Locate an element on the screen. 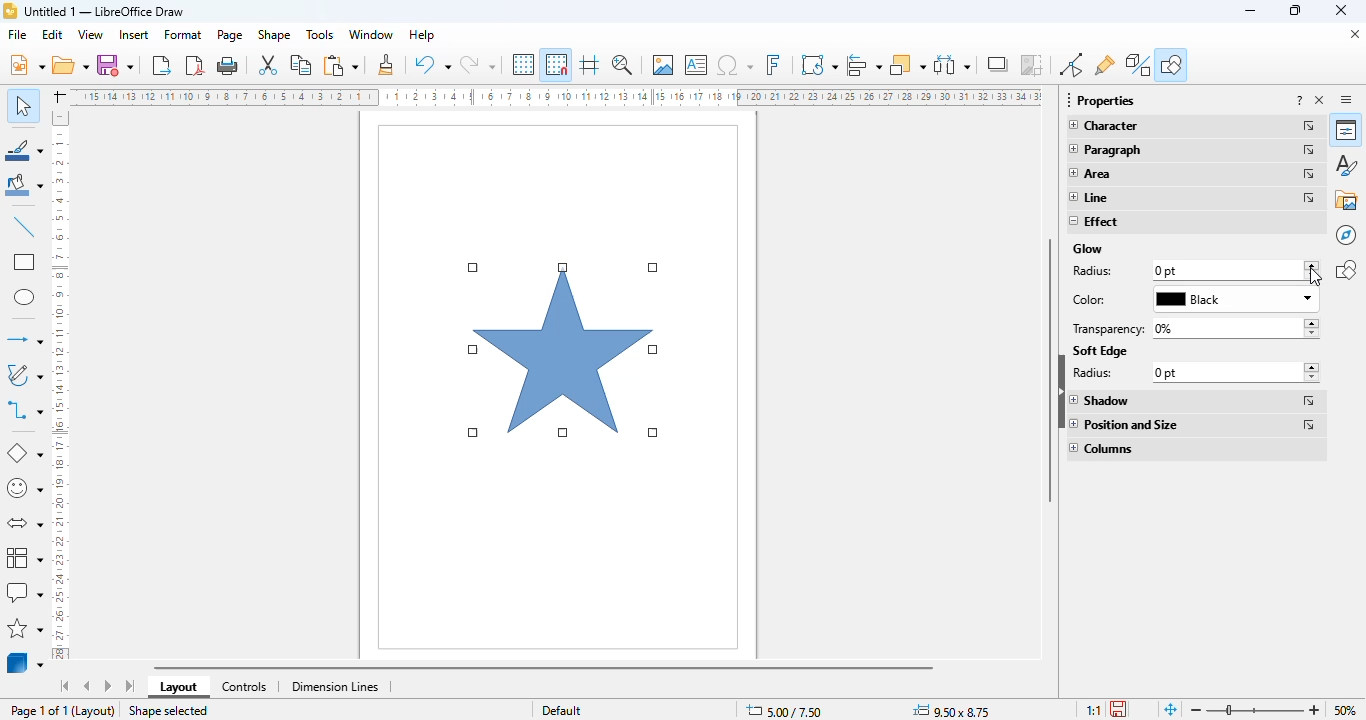 The width and height of the screenshot is (1366, 720). edit is located at coordinates (52, 34).